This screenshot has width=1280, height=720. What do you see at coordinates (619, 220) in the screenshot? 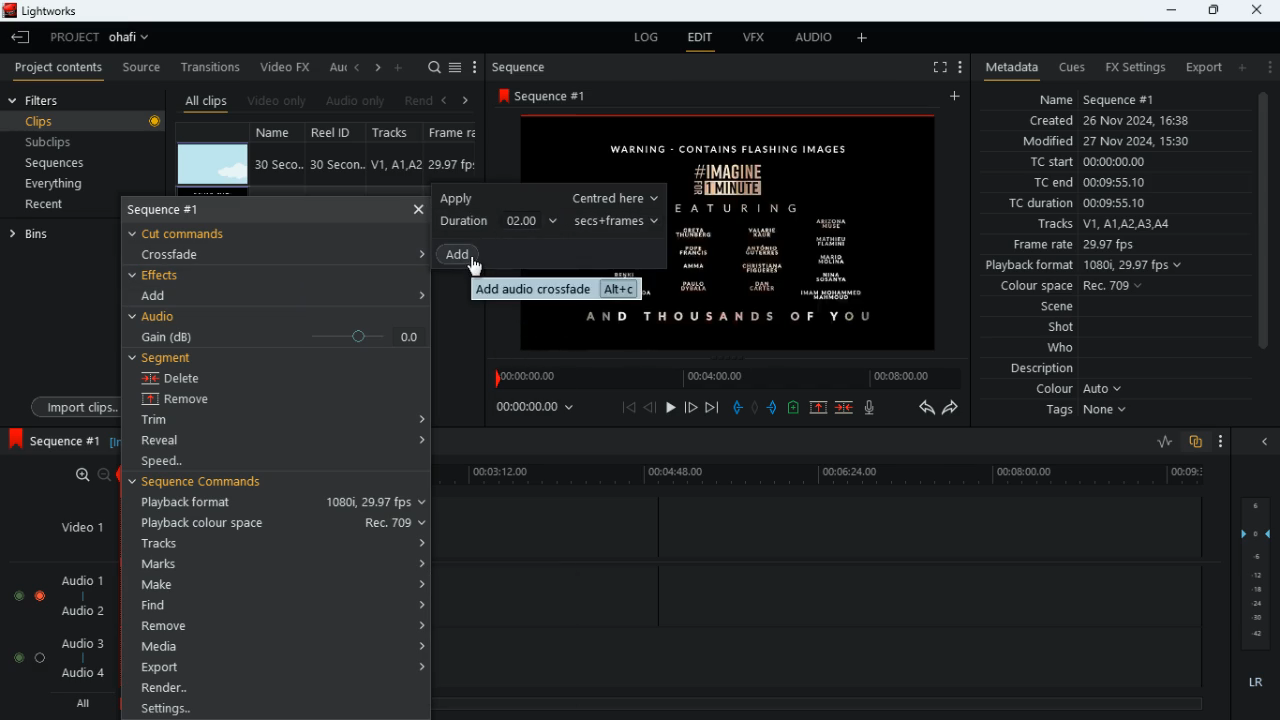
I see `secs + frames` at bounding box center [619, 220].